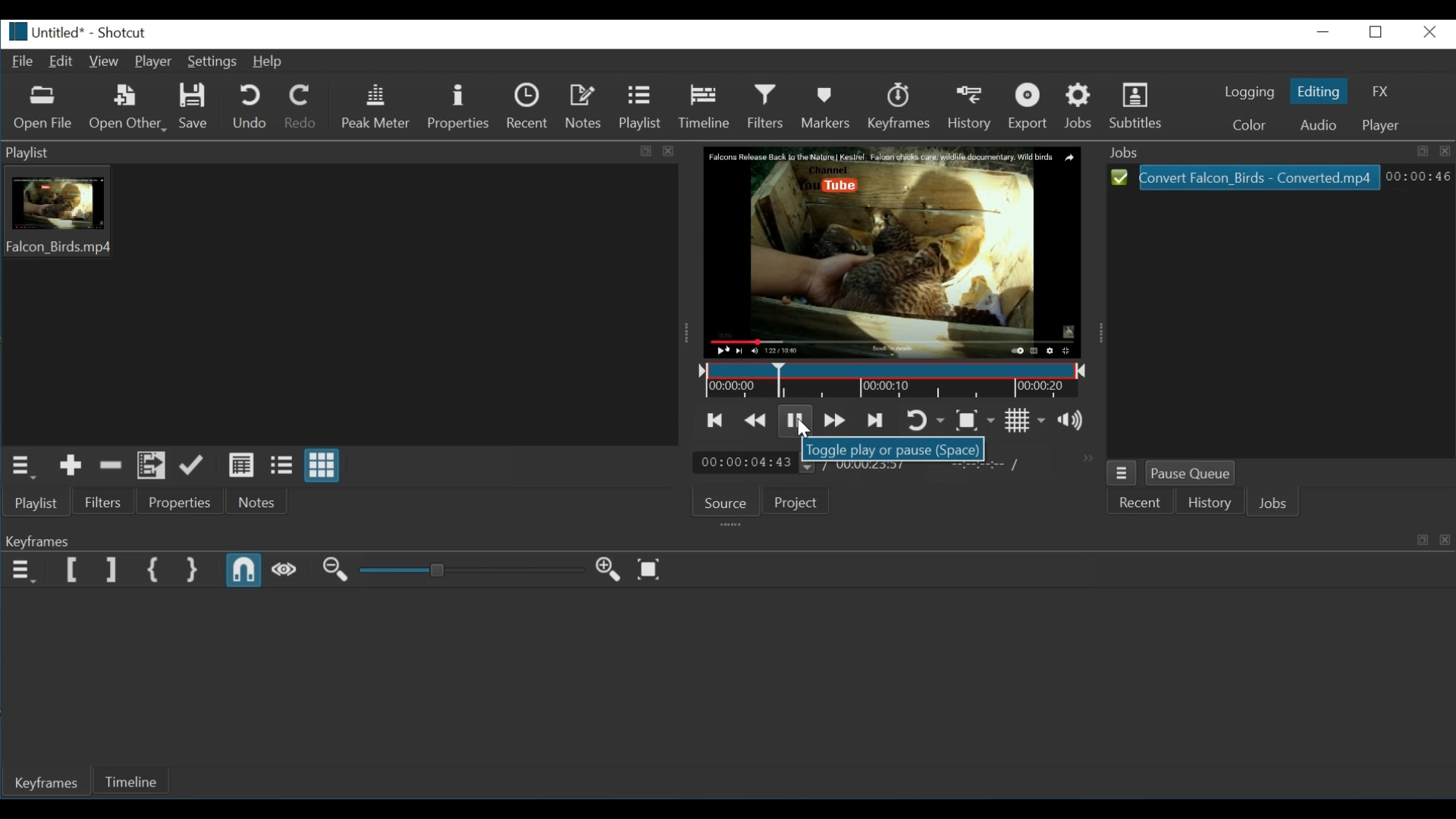 Image resolution: width=1456 pixels, height=819 pixels. Describe the element at coordinates (190, 570) in the screenshot. I see `Set Second Simple Keyframe` at that location.